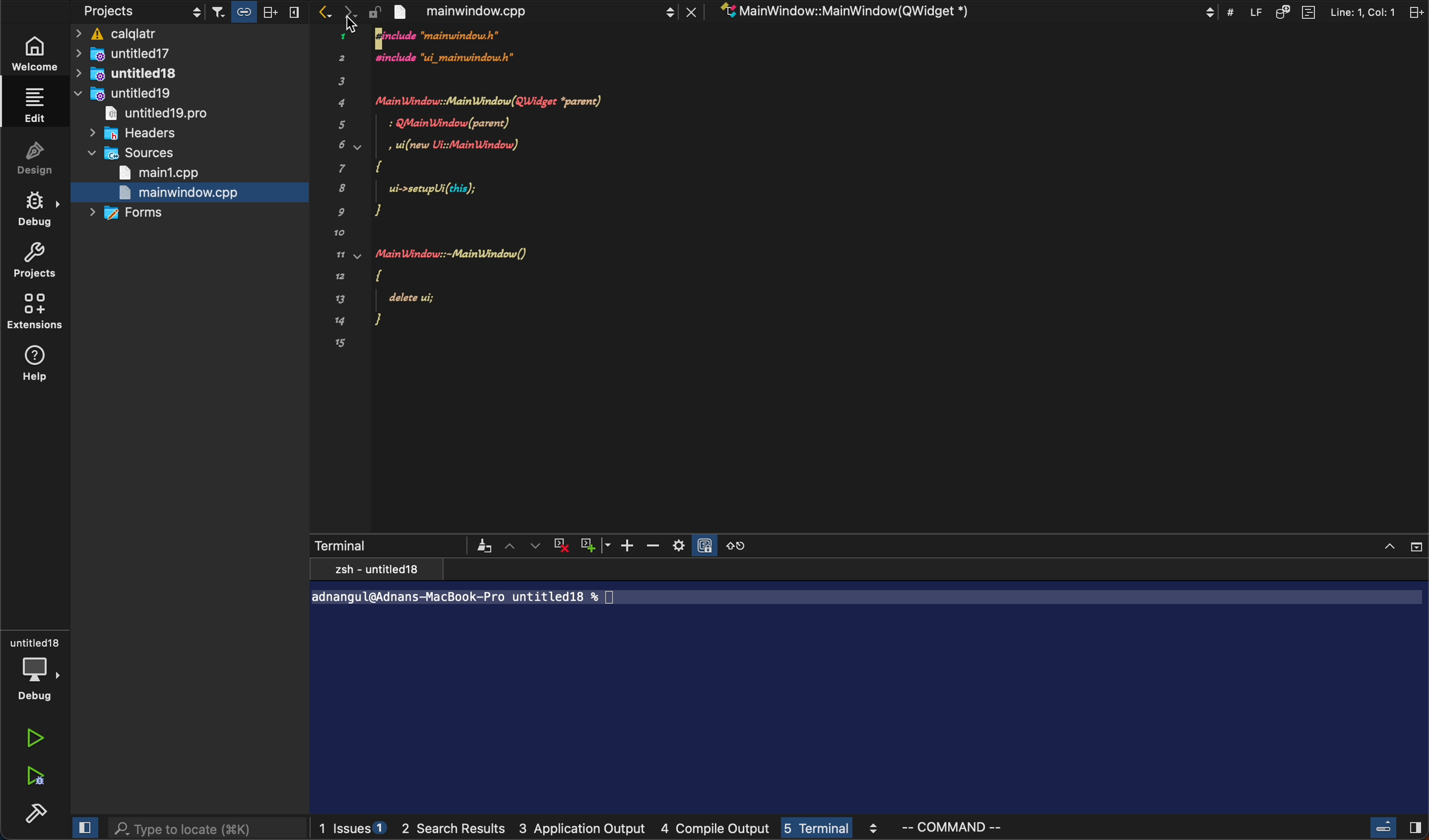 The width and height of the screenshot is (1429, 840). Describe the element at coordinates (35, 774) in the screenshot. I see `run debug` at that location.